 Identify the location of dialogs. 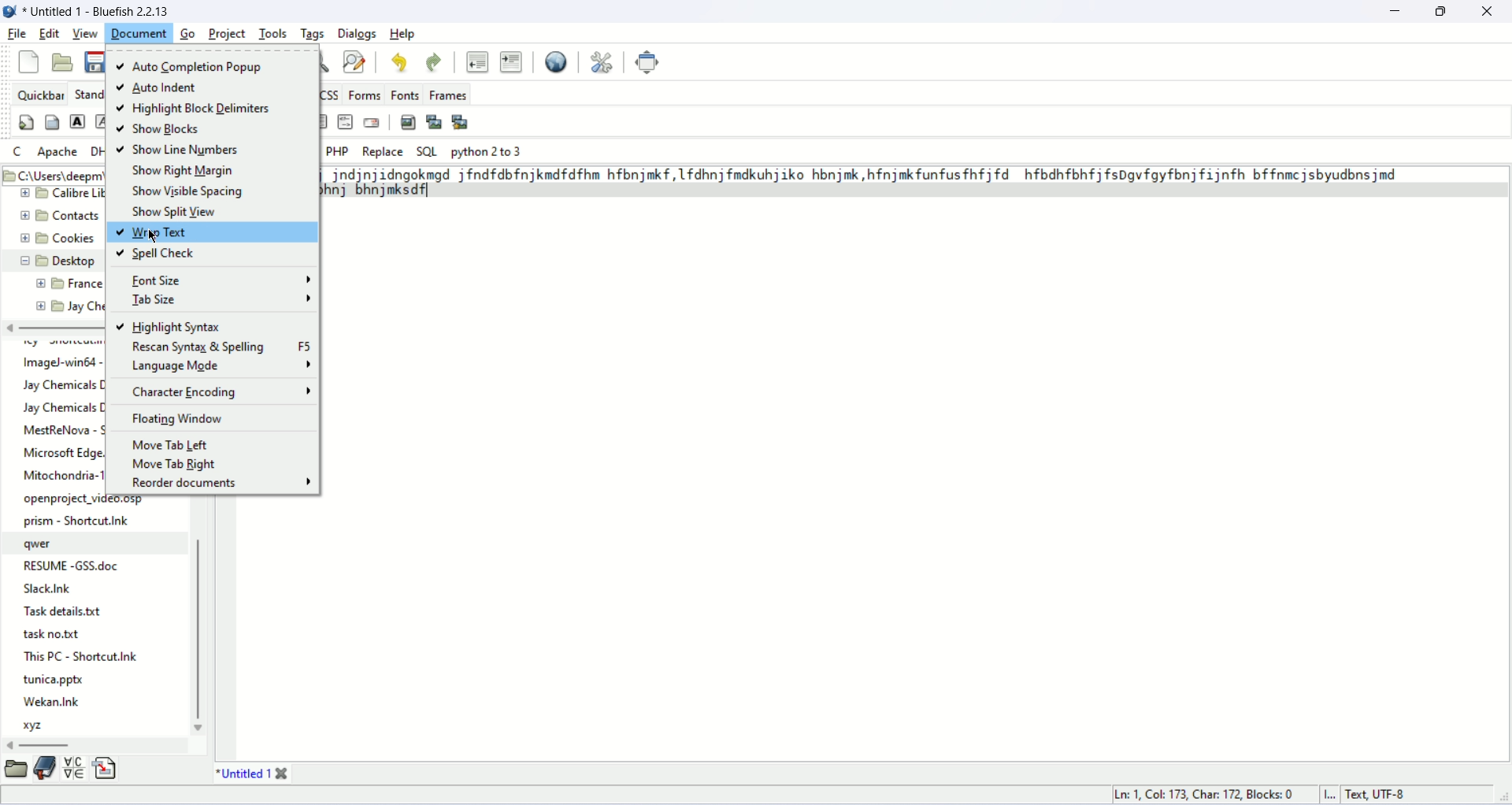
(358, 35).